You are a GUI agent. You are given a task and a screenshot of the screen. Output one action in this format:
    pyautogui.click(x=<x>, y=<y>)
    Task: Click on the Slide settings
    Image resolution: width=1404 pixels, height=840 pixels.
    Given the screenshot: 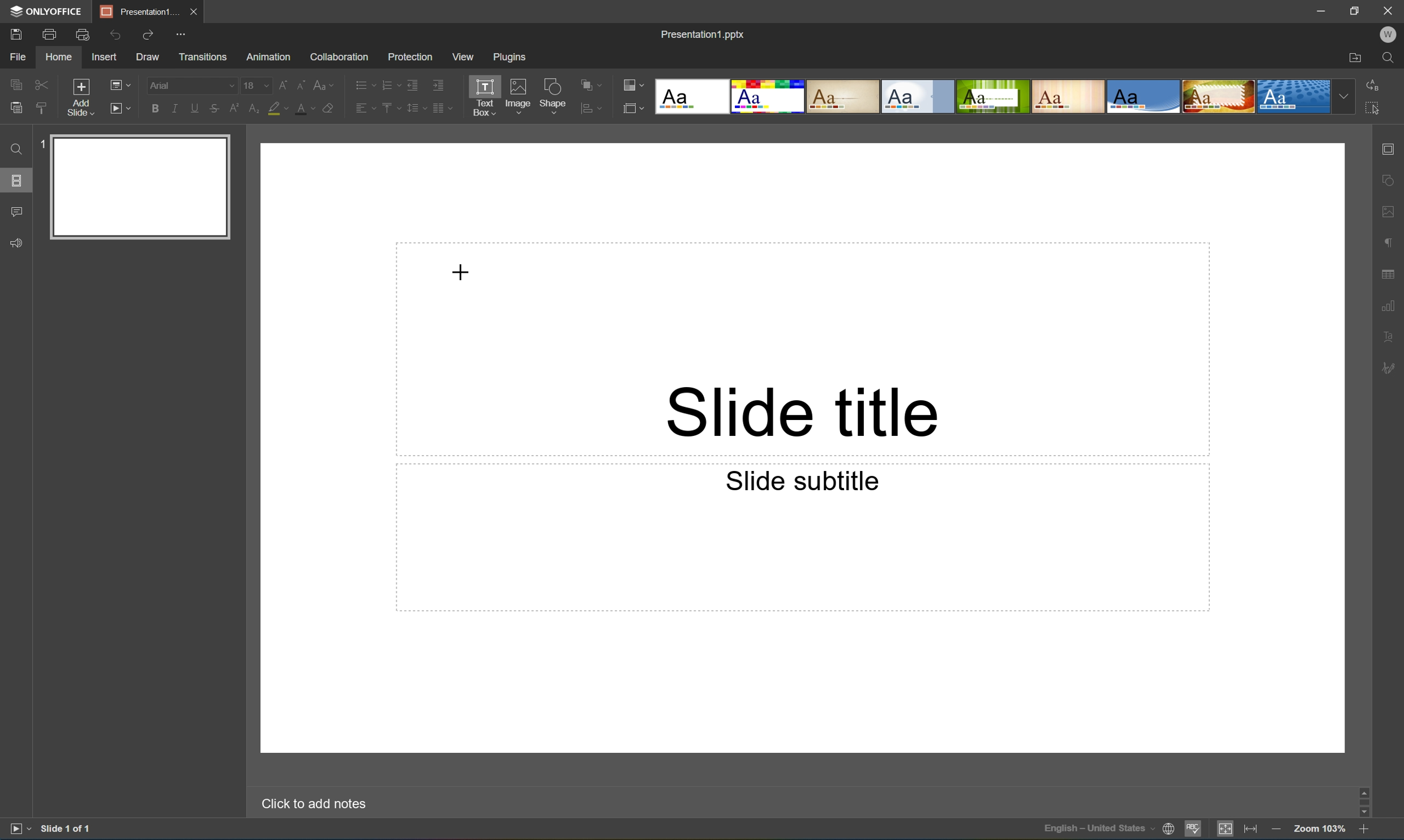 What is the action you would take?
    pyautogui.click(x=1392, y=149)
    